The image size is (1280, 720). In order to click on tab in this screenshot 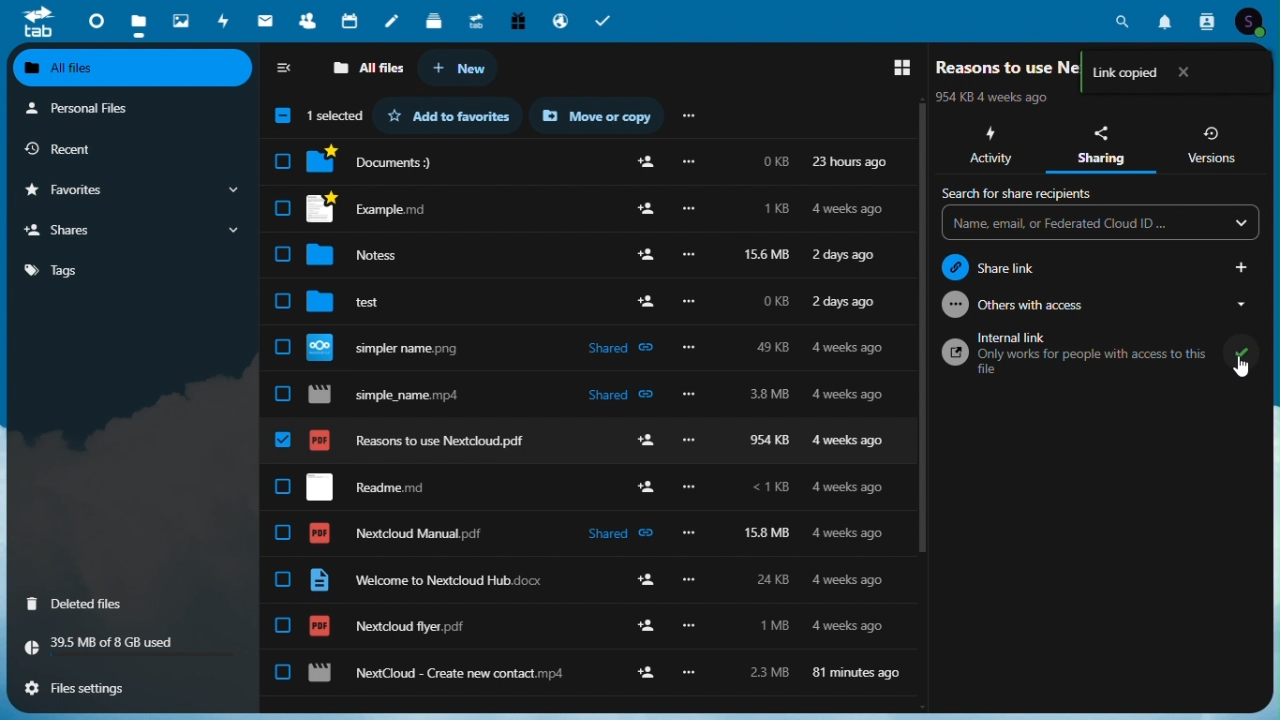, I will do `click(33, 22)`.